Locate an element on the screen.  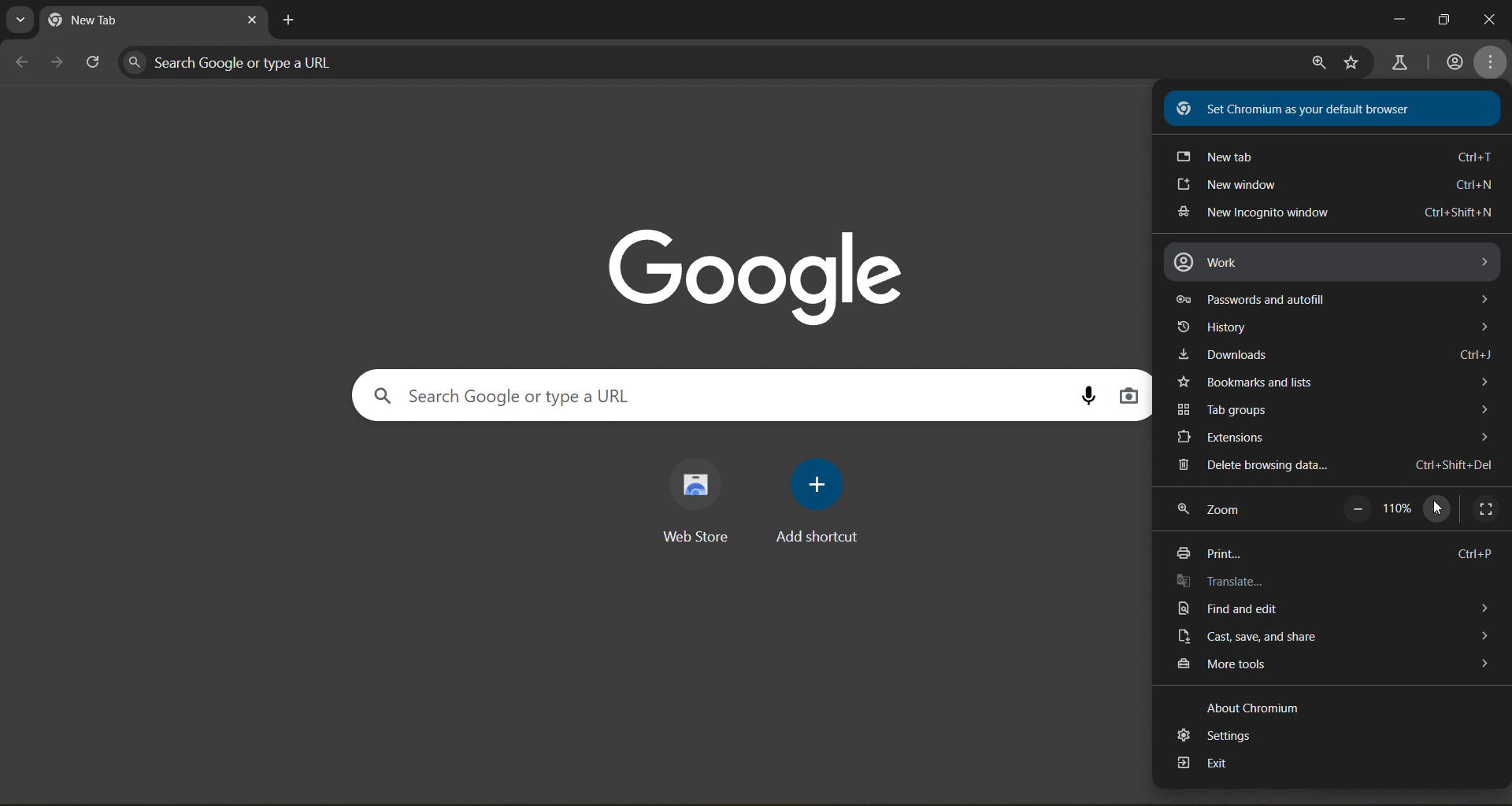
restore down is located at coordinates (1445, 18).